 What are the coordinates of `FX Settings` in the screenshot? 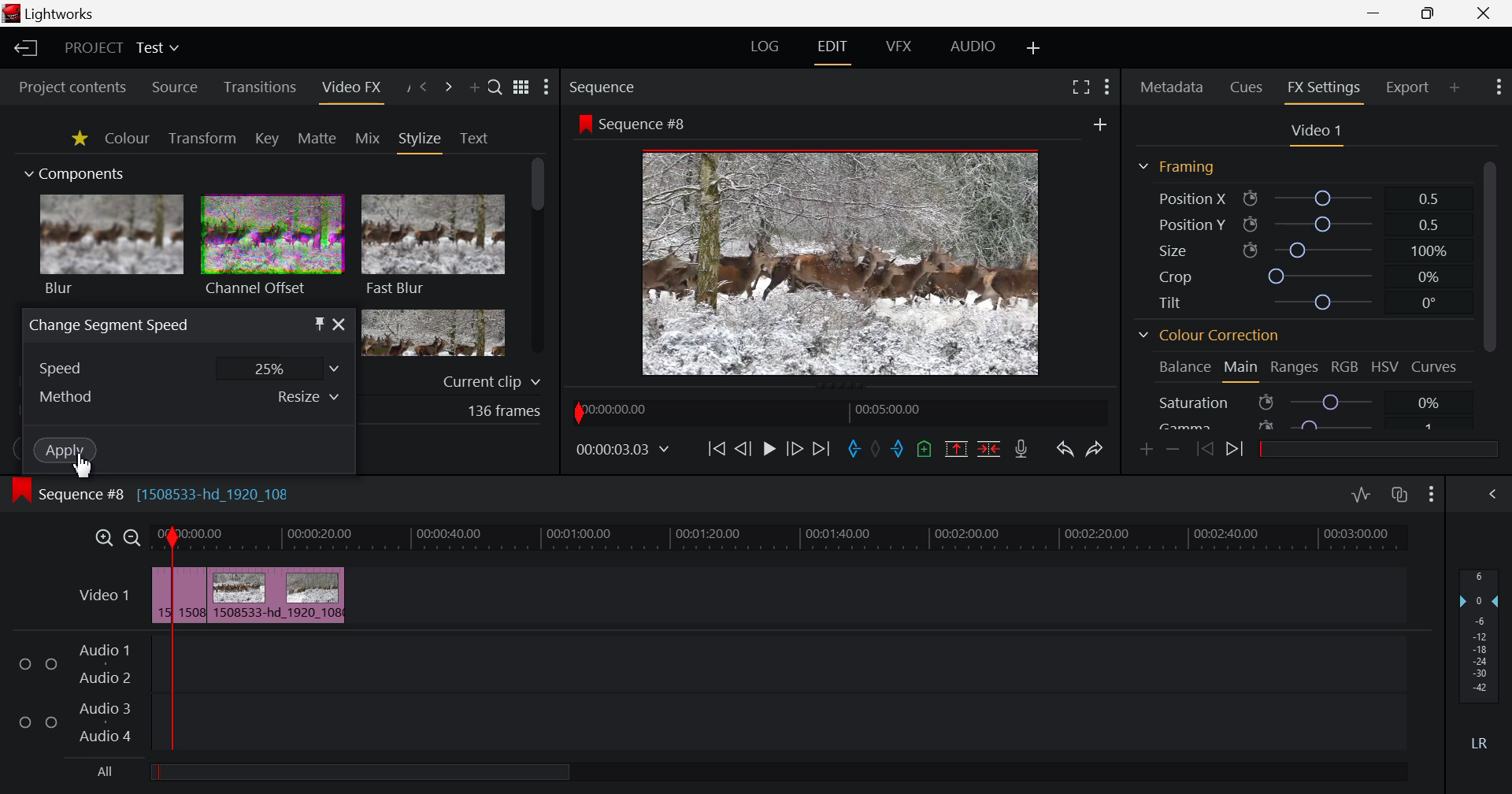 It's located at (1323, 90).